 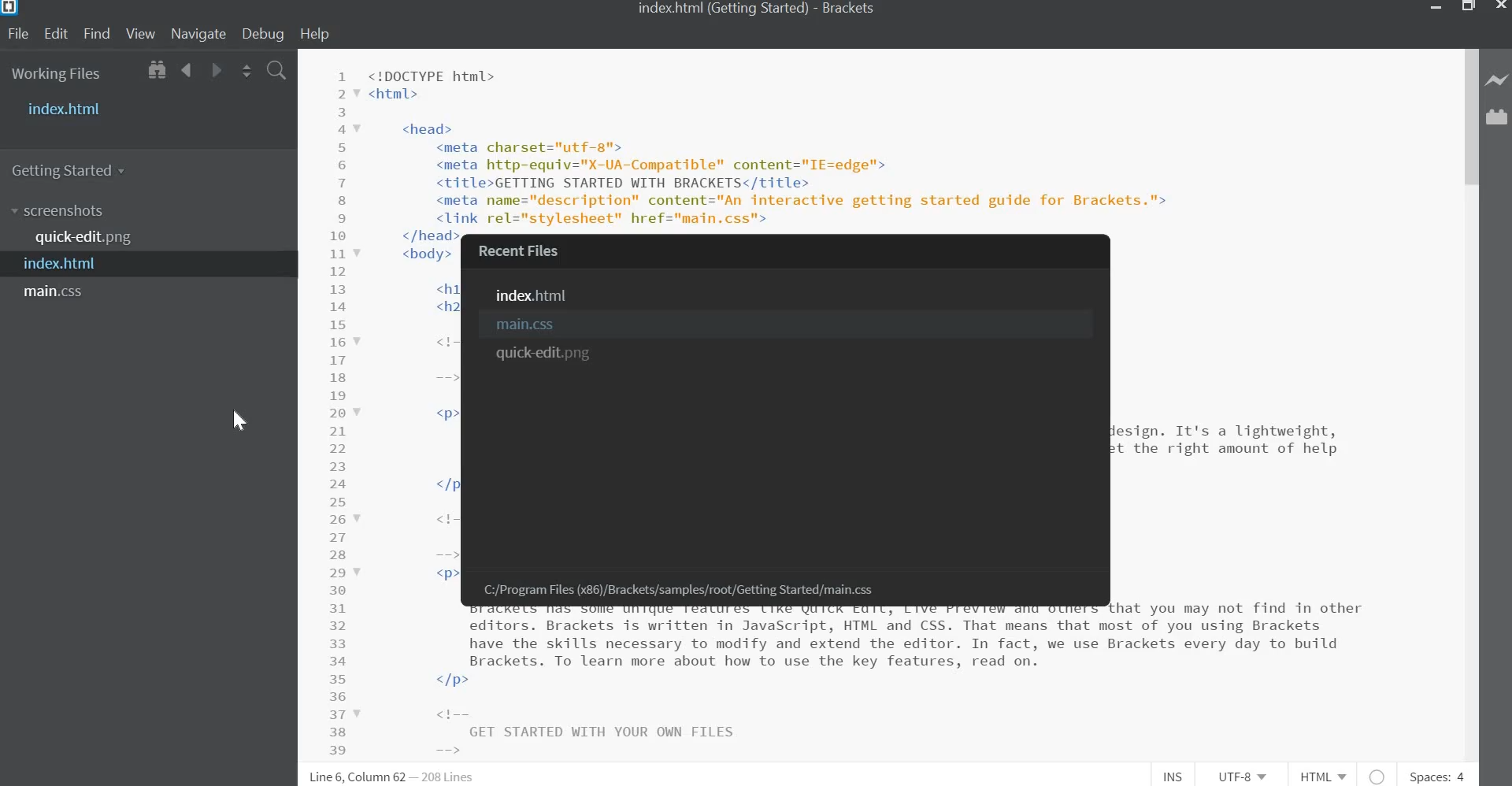 I want to click on line and column preferences, so click(x=358, y=777).